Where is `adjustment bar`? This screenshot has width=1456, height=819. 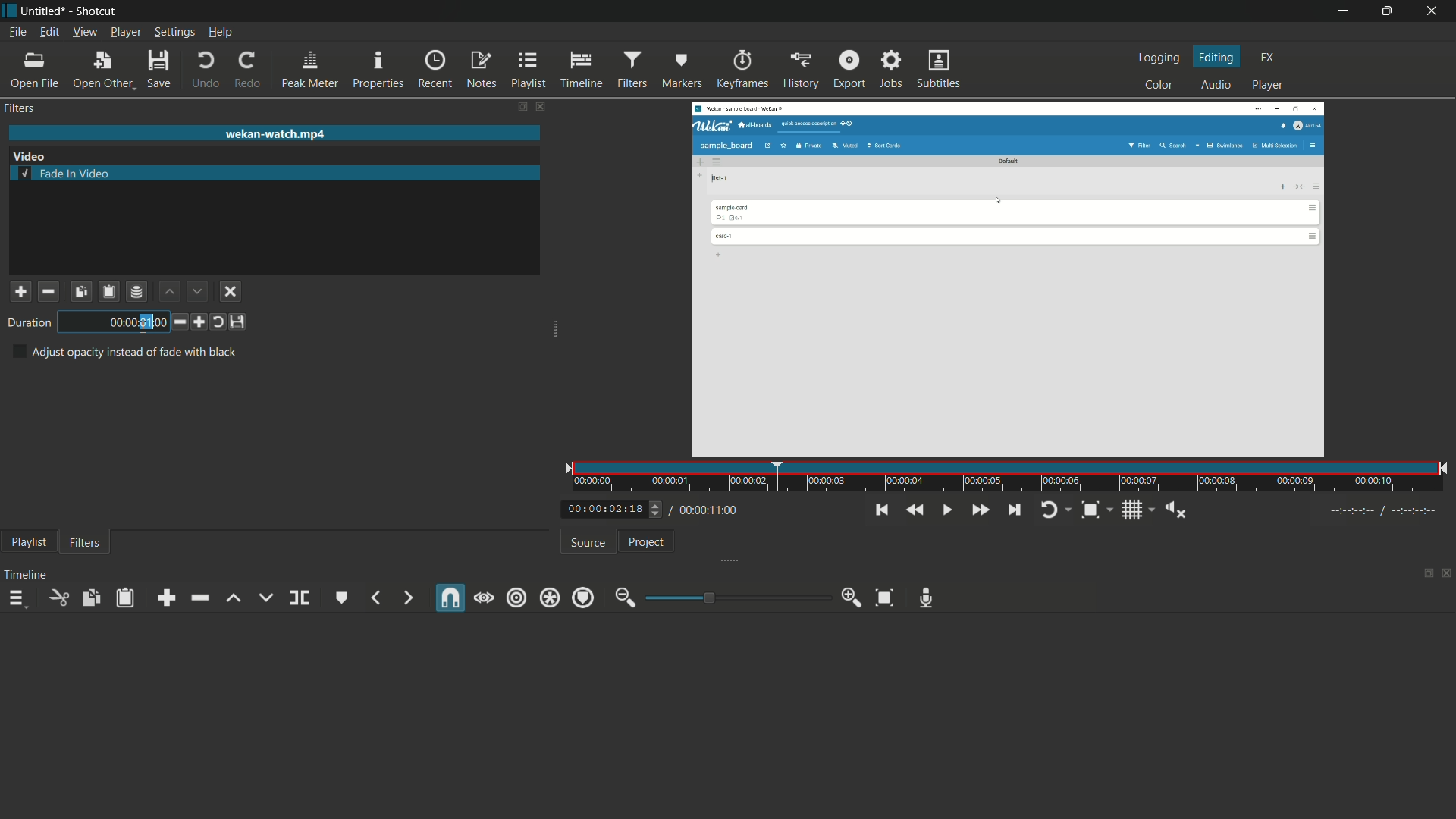 adjustment bar is located at coordinates (736, 598).